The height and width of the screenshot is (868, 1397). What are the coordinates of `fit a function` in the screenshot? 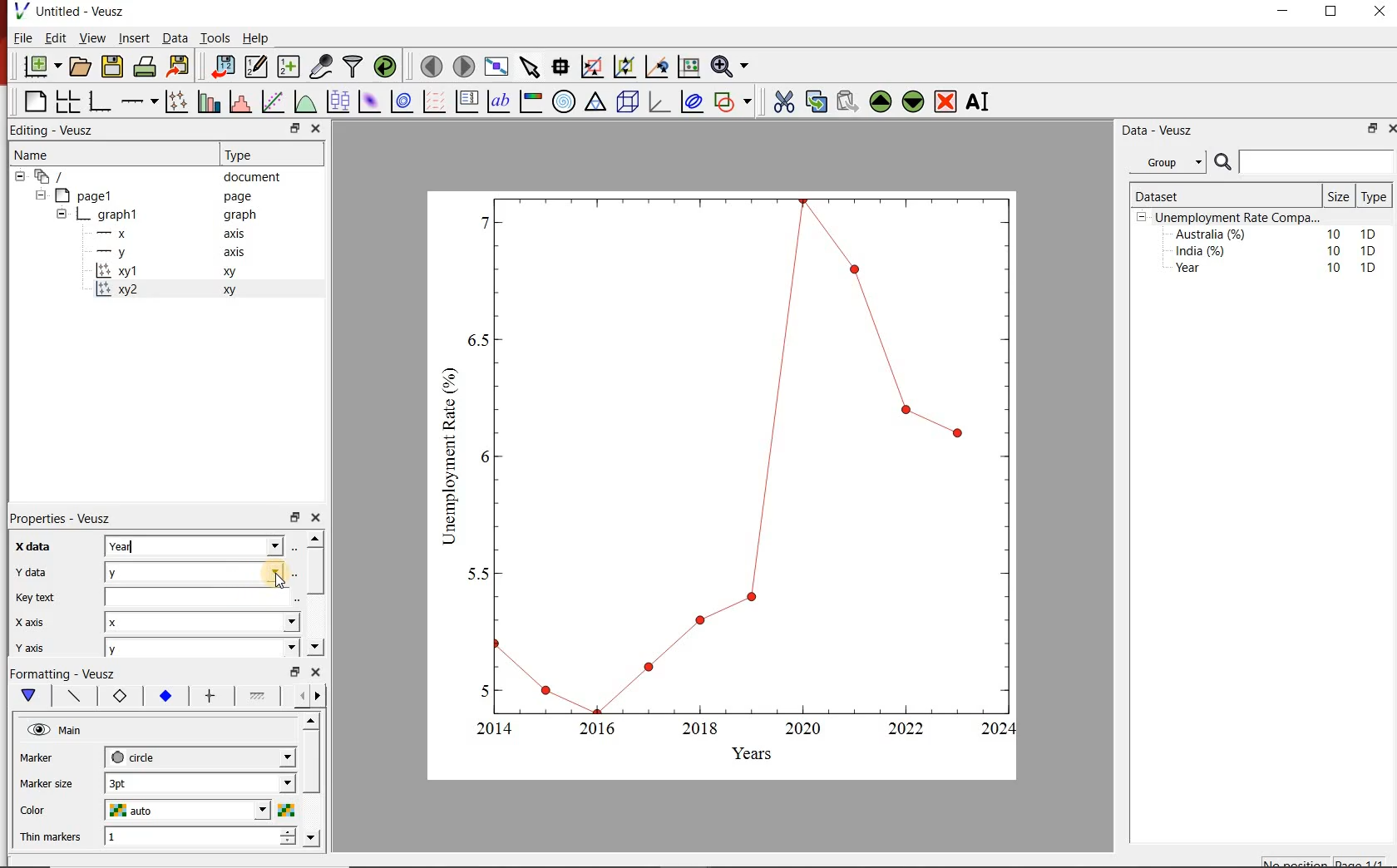 It's located at (272, 101).